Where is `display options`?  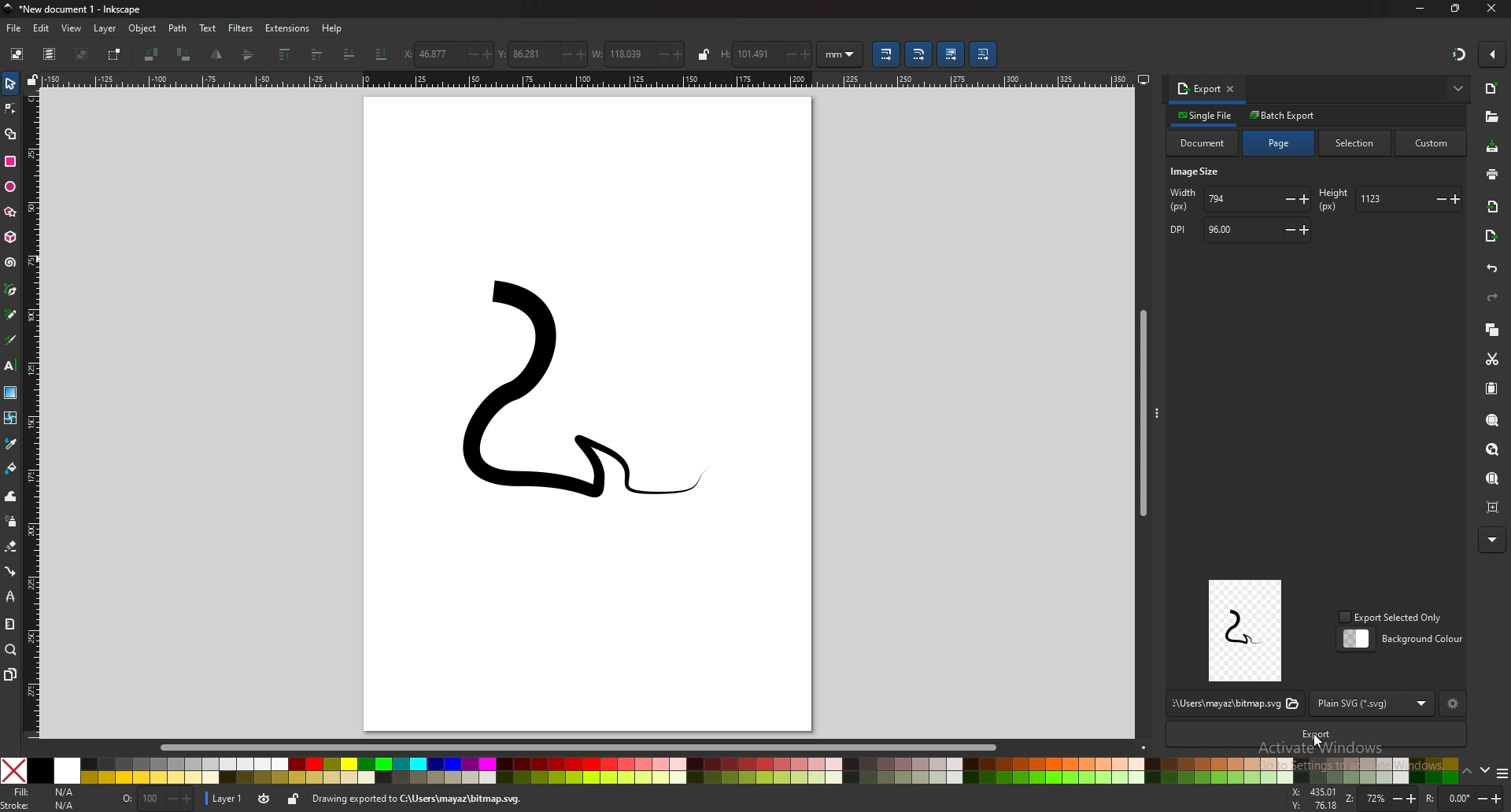 display options is located at coordinates (1143, 76).